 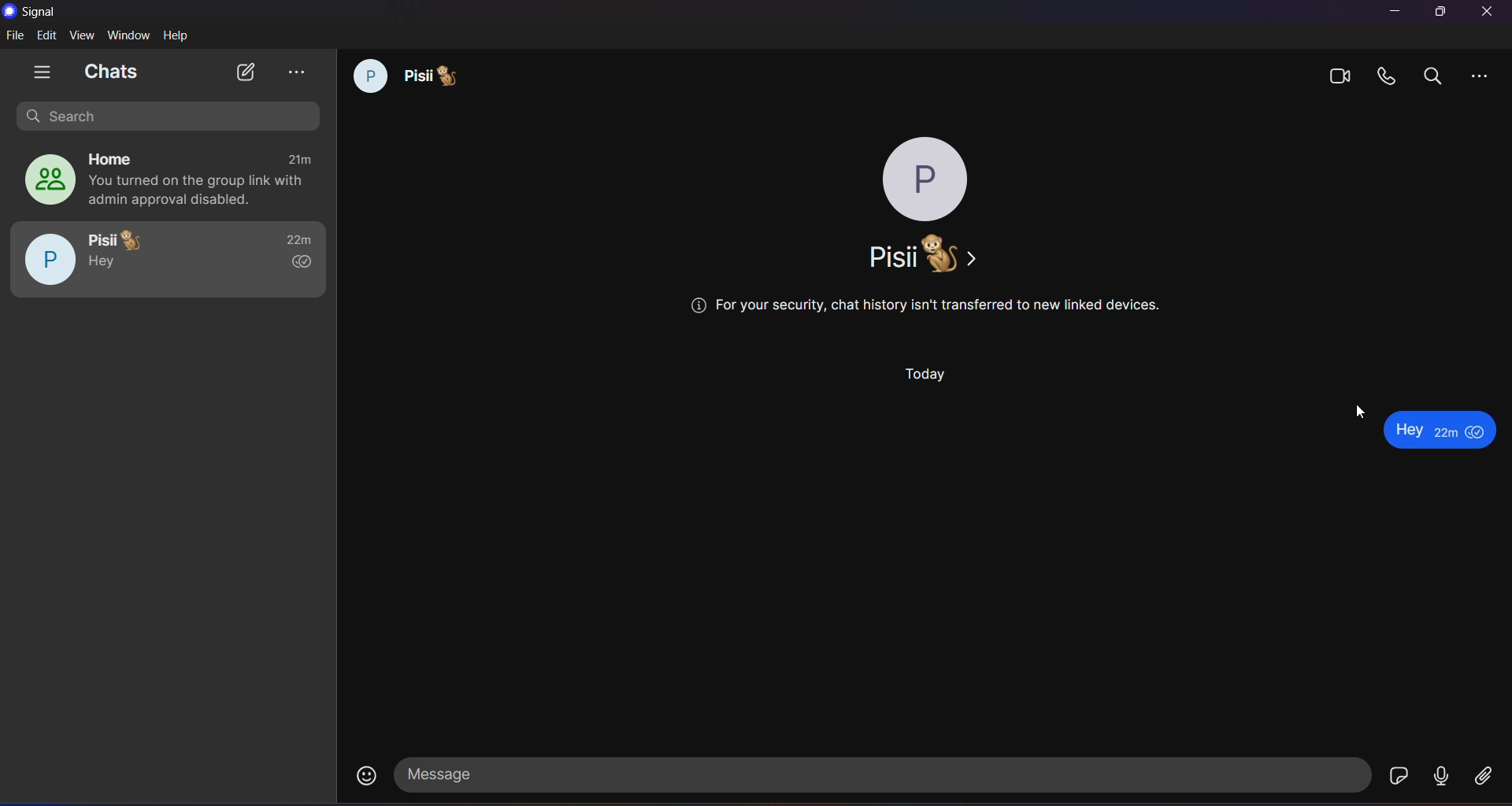 I want to click on view, so click(x=83, y=35).